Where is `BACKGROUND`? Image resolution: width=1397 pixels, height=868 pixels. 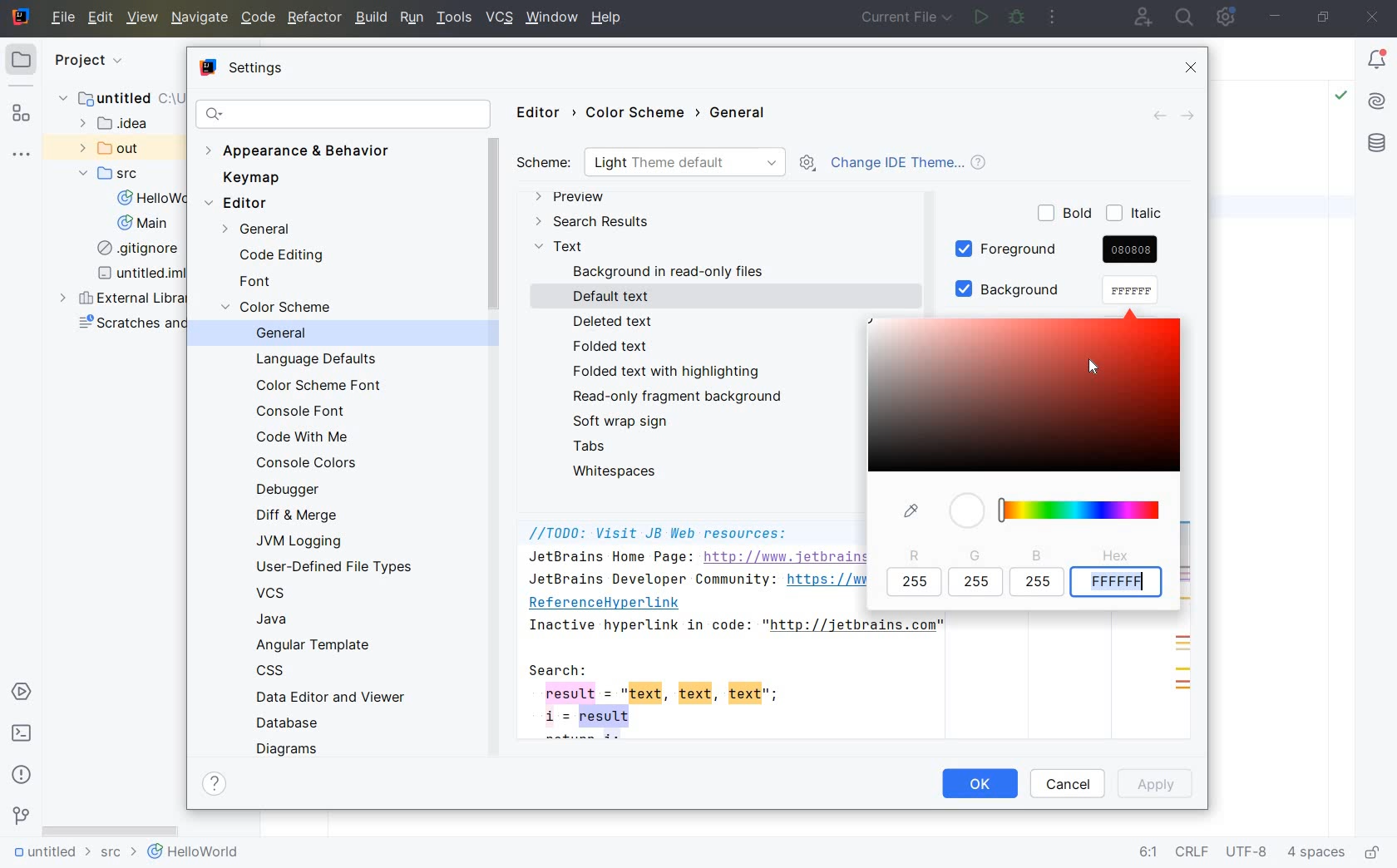 BACKGROUND is located at coordinates (1034, 290).